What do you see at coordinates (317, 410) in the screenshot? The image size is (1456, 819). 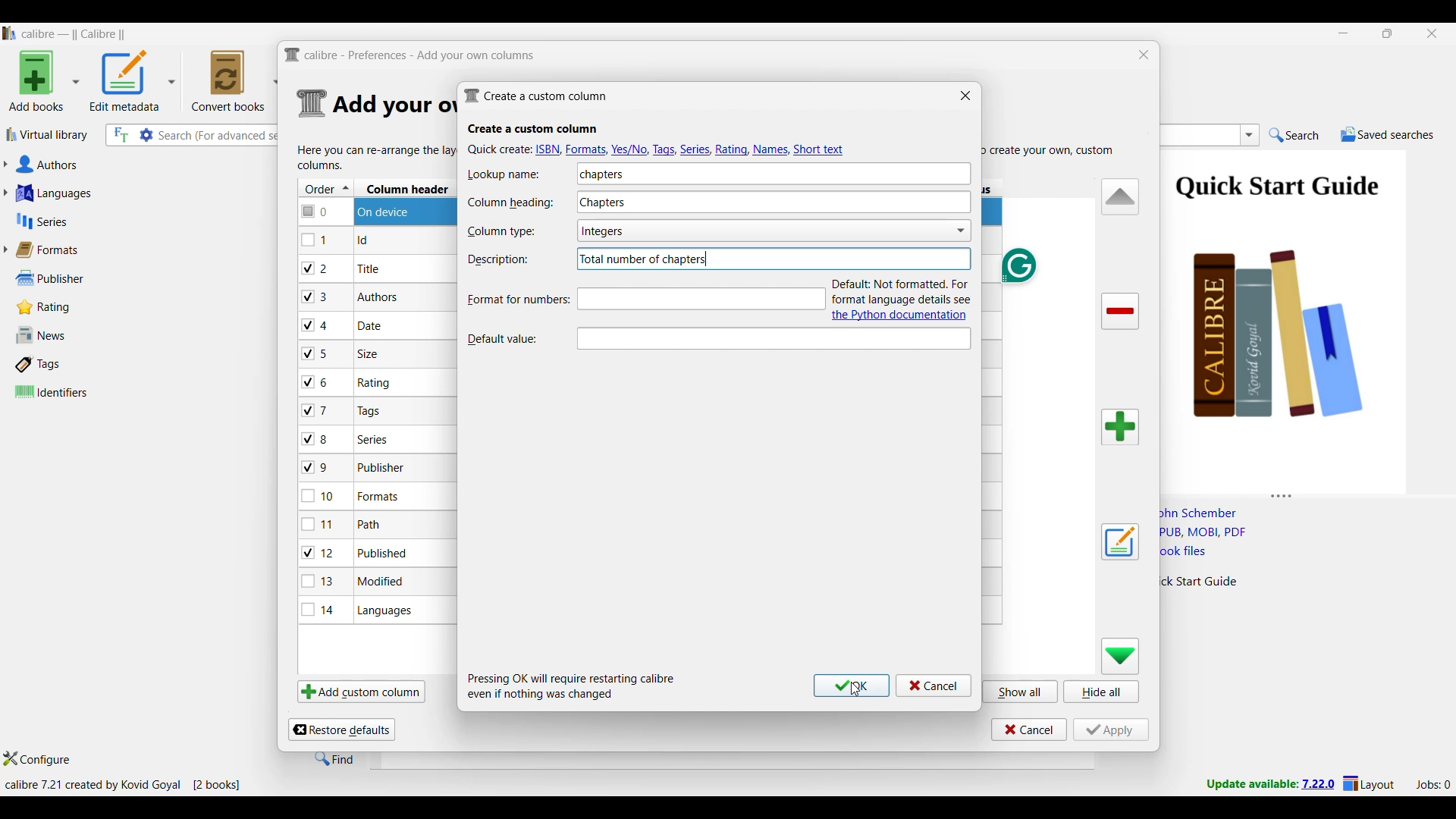 I see `checkbox - 7` at bounding box center [317, 410].